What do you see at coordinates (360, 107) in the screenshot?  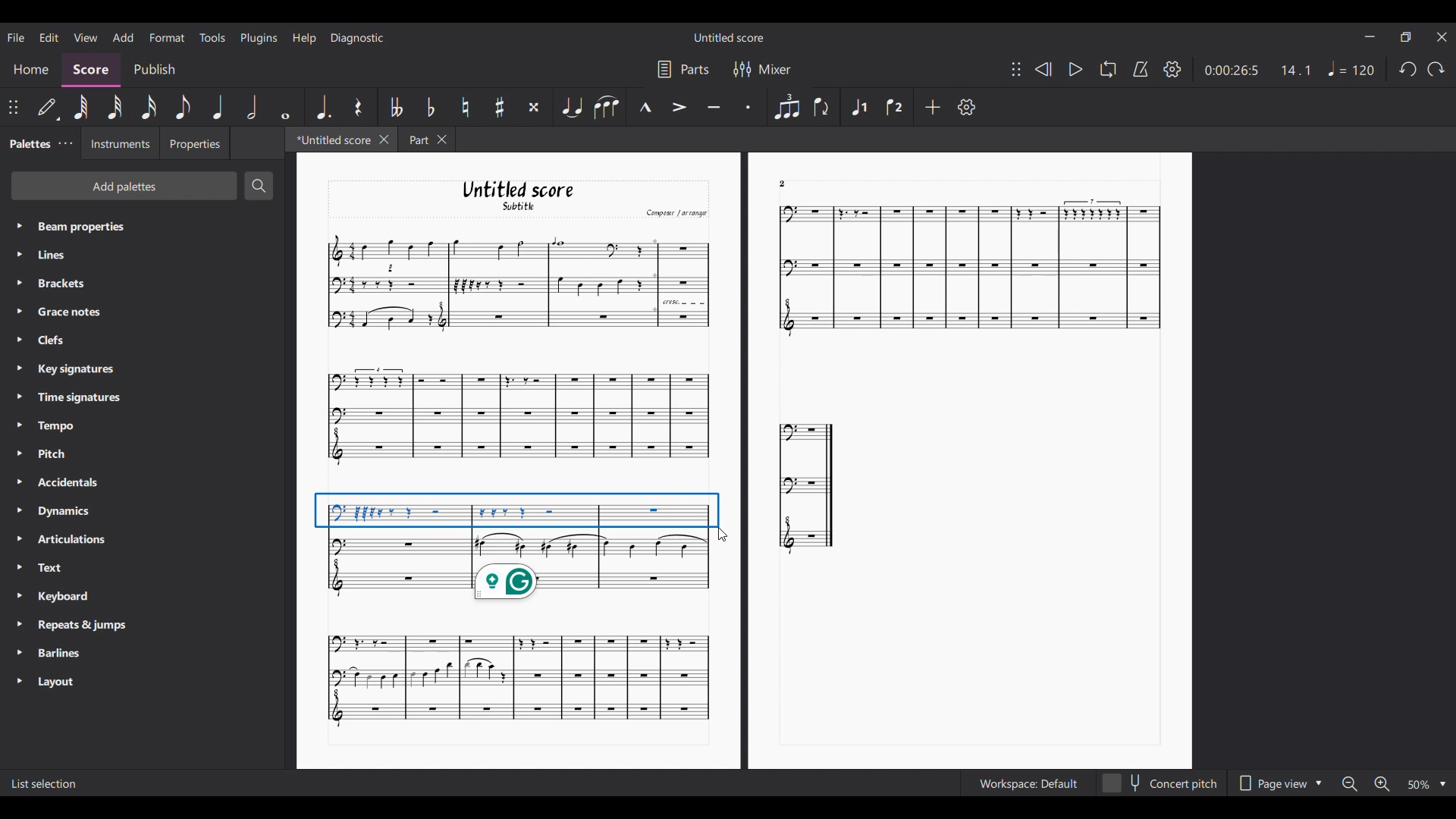 I see `Rest` at bounding box center [360, 107].